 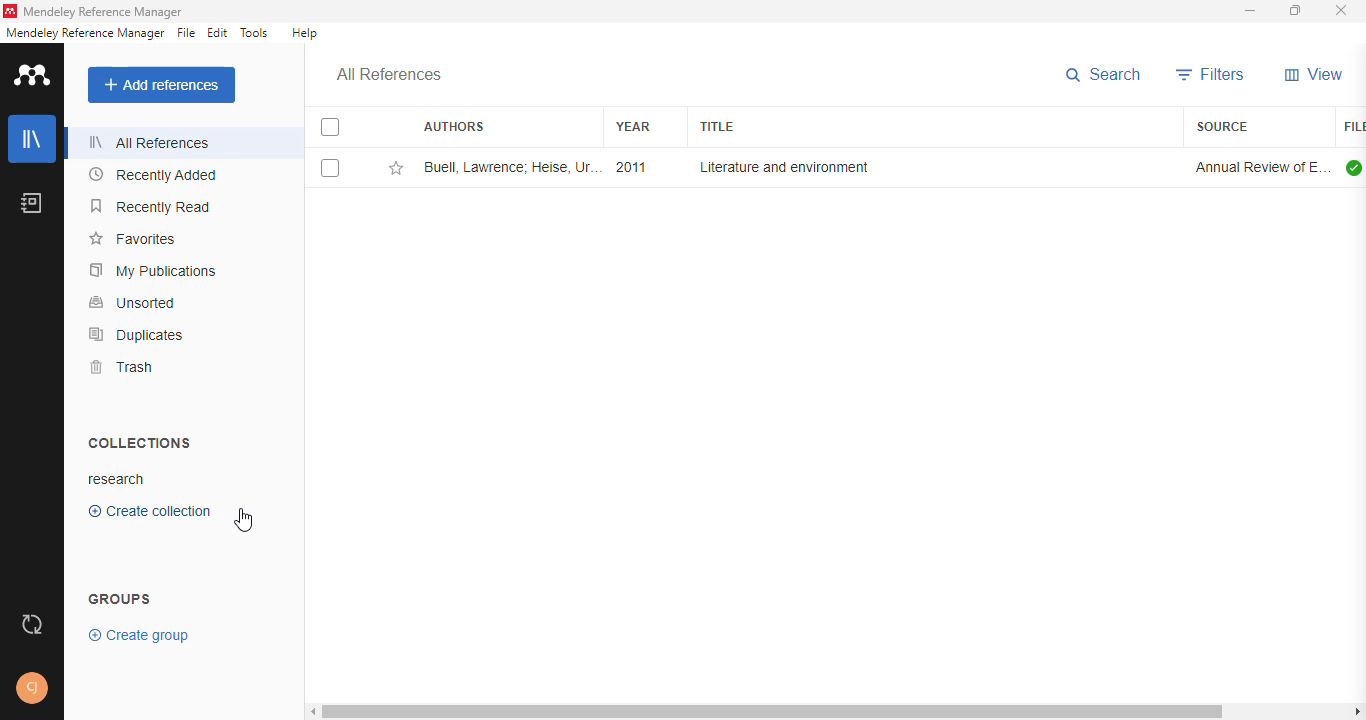 I want to click on file, so click(x=1353, y=127).